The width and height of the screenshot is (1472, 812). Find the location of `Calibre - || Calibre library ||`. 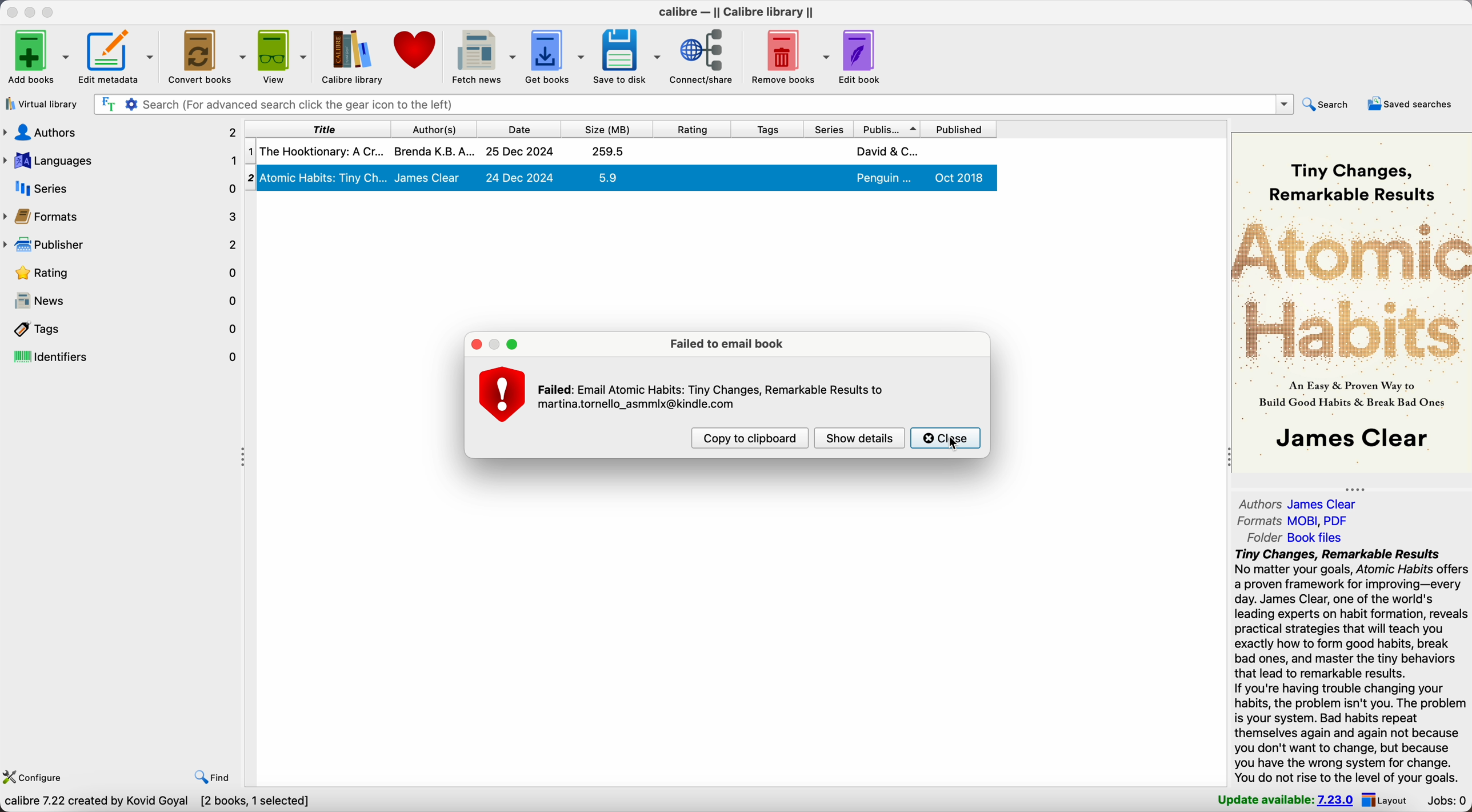

Calibre - || Calibre library || is located at coordinates (736, 12).